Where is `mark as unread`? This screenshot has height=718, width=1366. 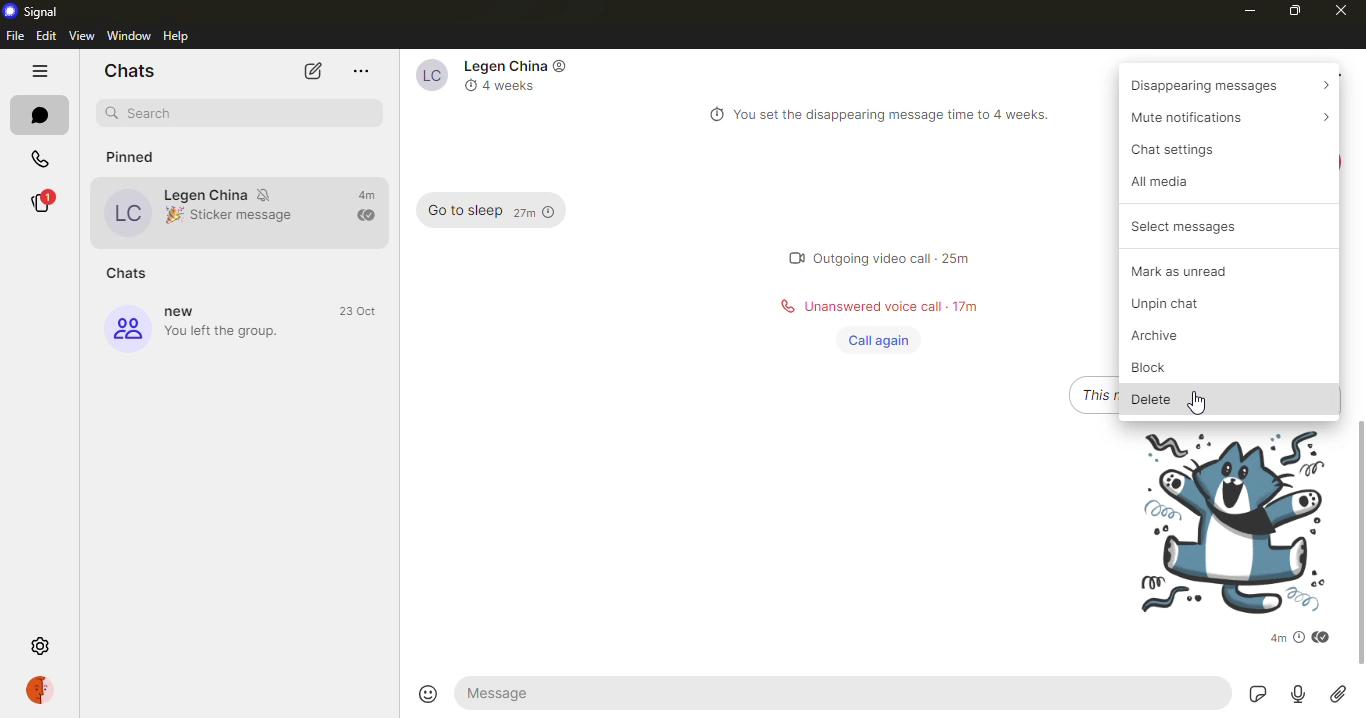
mark as unread is located at coordinates (1200, 269).